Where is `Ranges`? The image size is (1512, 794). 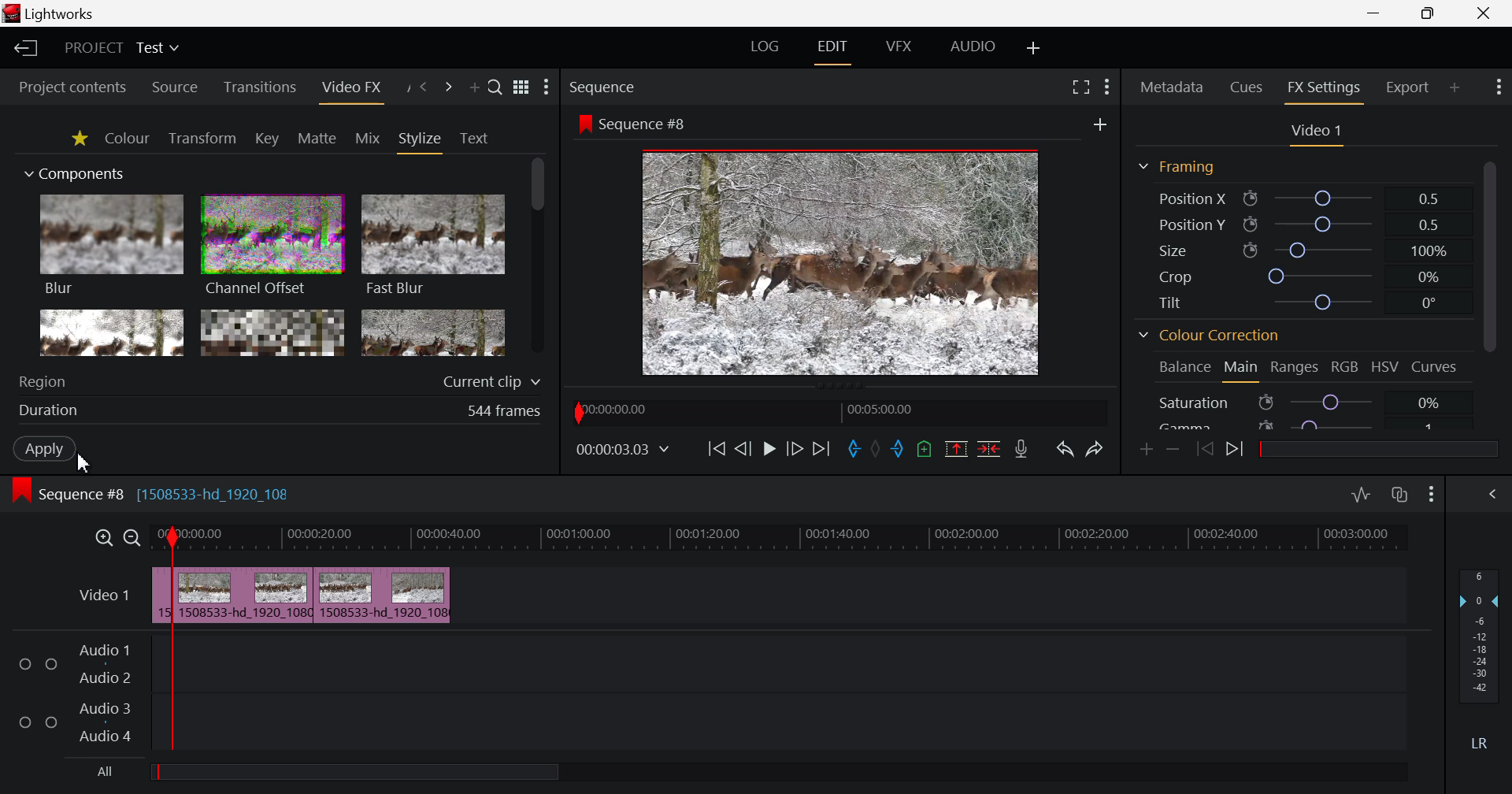
Ranges is located at coordinates (1296, 368).